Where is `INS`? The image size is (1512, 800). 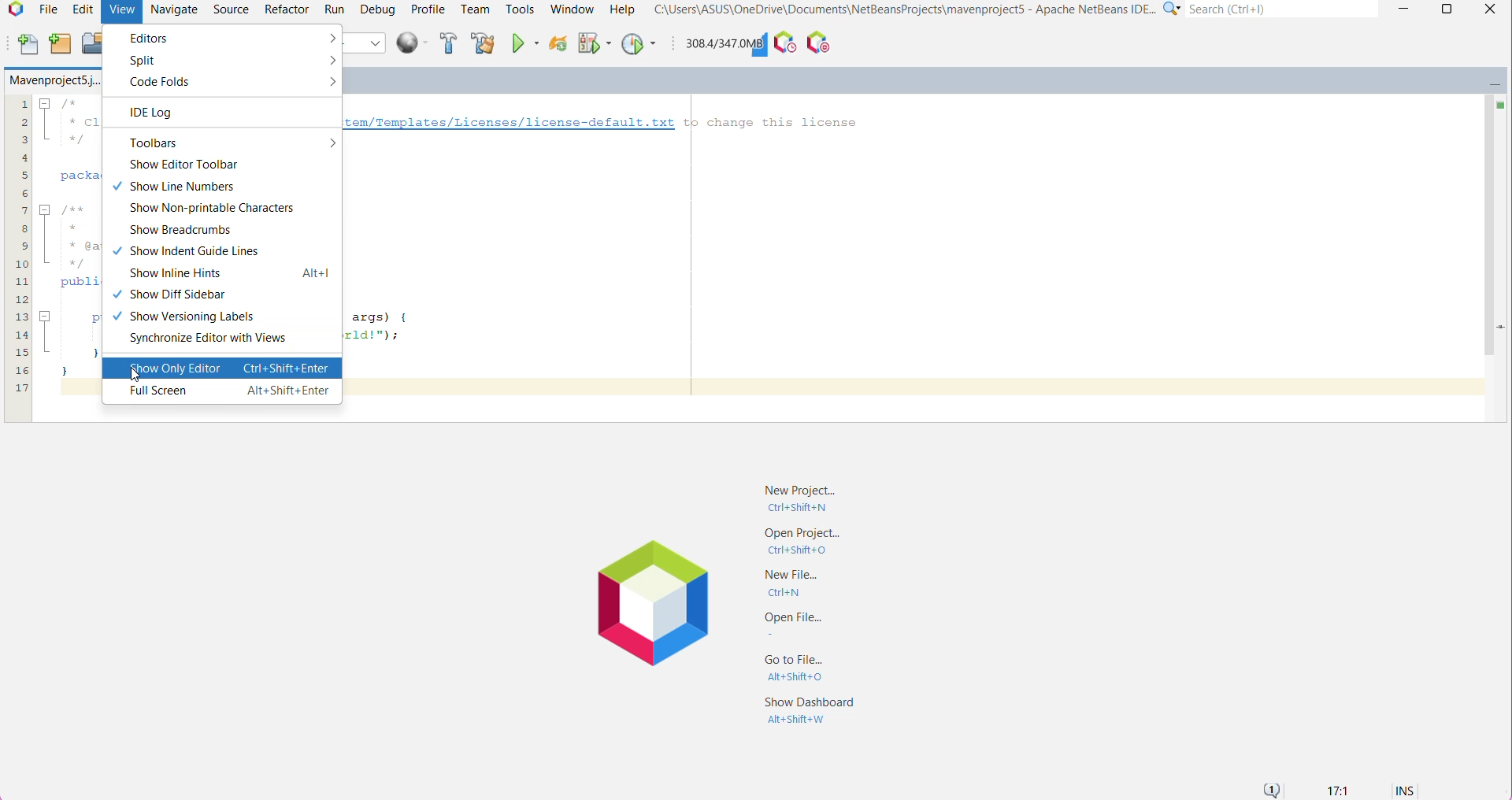 INS is located at coordinates (1407, 789).